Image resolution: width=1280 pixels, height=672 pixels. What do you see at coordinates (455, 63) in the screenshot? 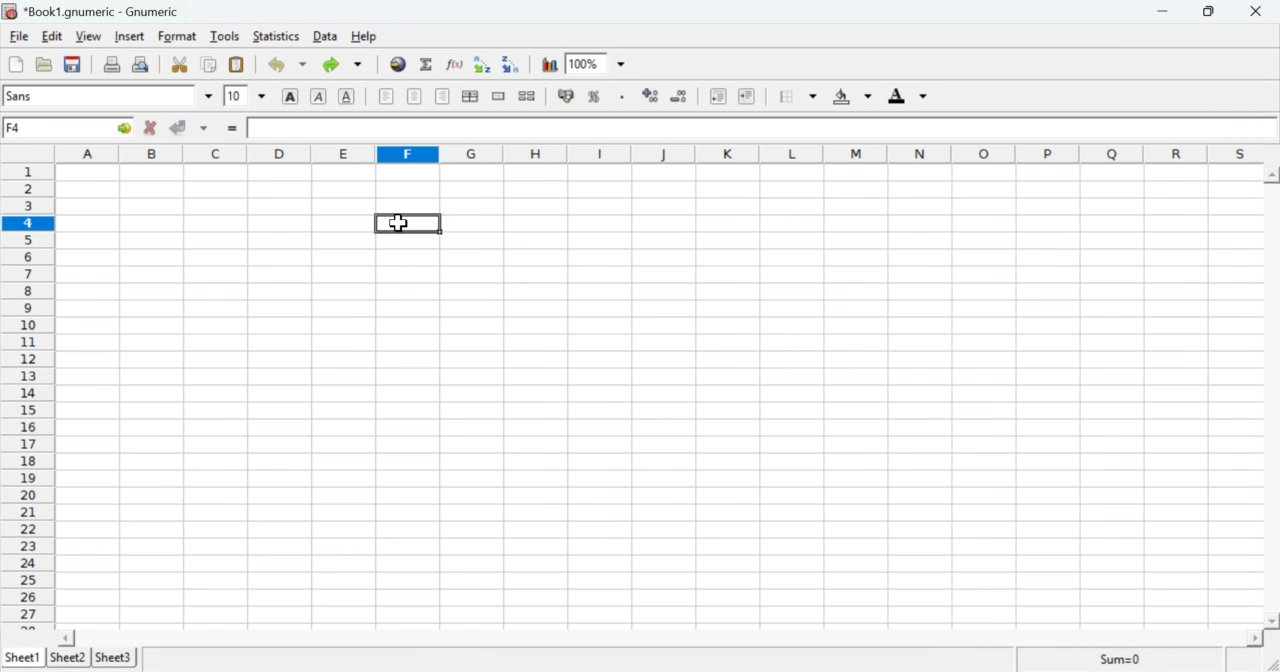
I see `Edit a function` at bounding box center [455, 63].